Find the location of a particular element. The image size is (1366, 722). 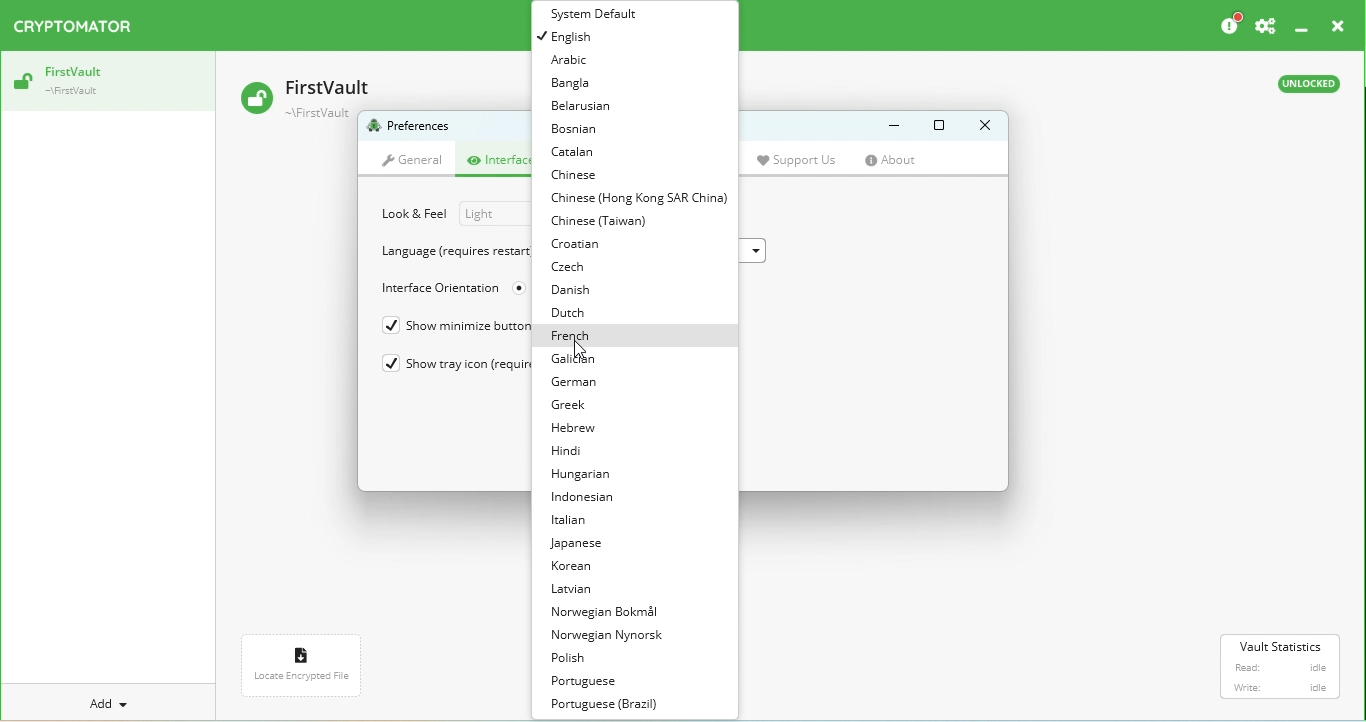

Show tray icon (requires restart) is located at coordinates (449, 363).